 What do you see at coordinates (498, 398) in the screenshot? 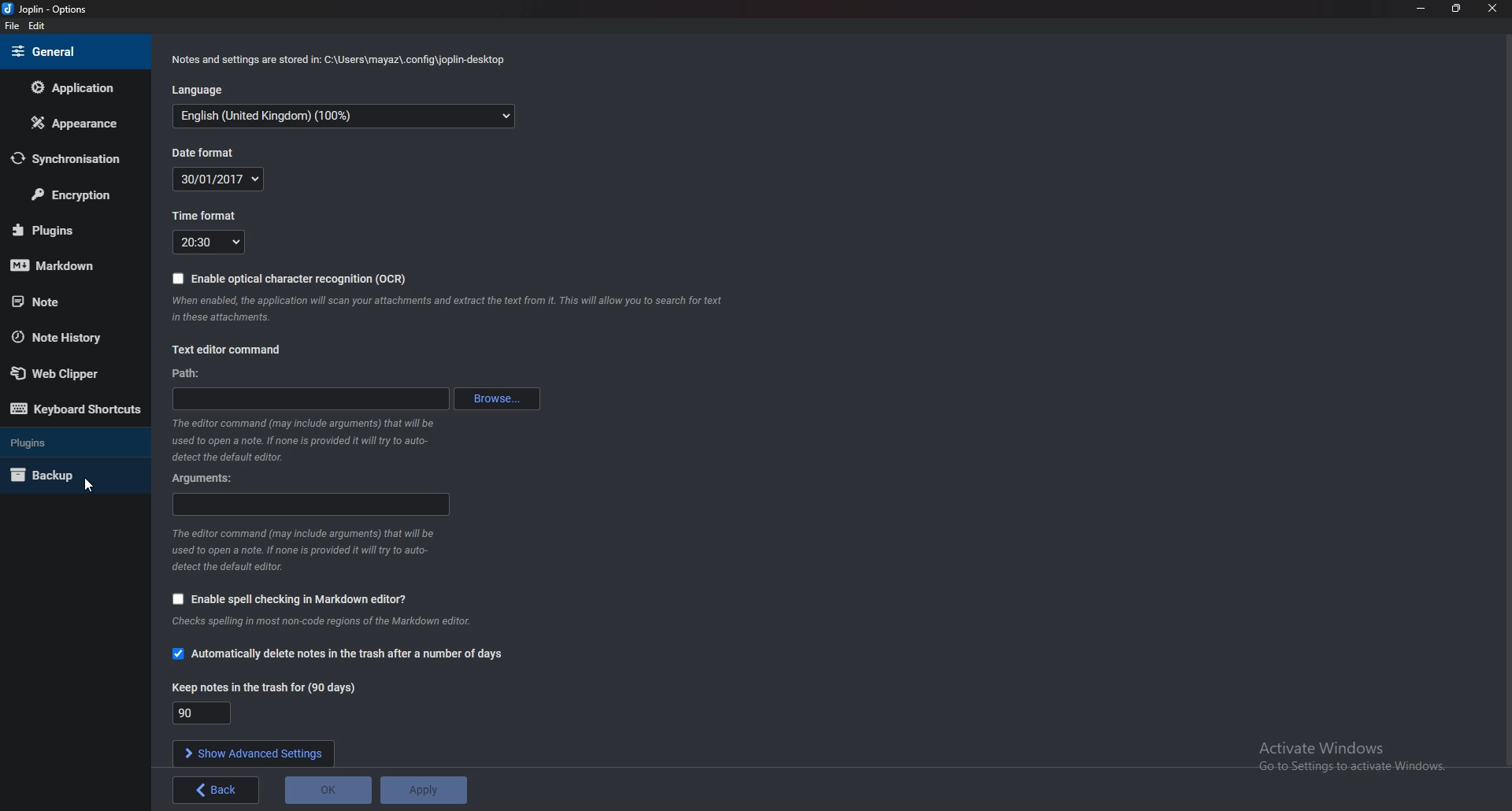
I see `Browse` at bounding box center [498, 398].